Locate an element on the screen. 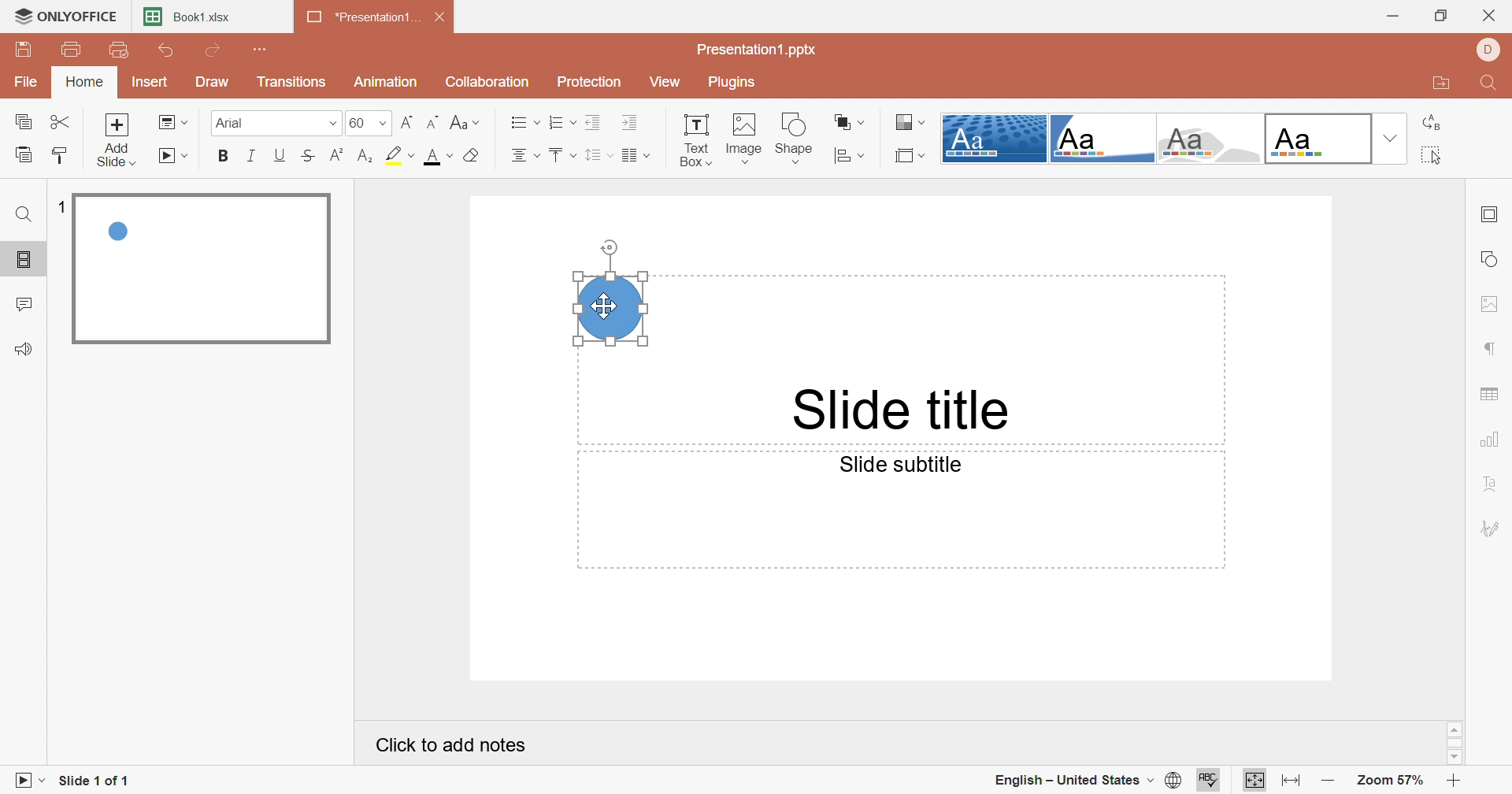 The height and width of the screenshot is (794, 1512). Save is located at coordinates (21, 49).